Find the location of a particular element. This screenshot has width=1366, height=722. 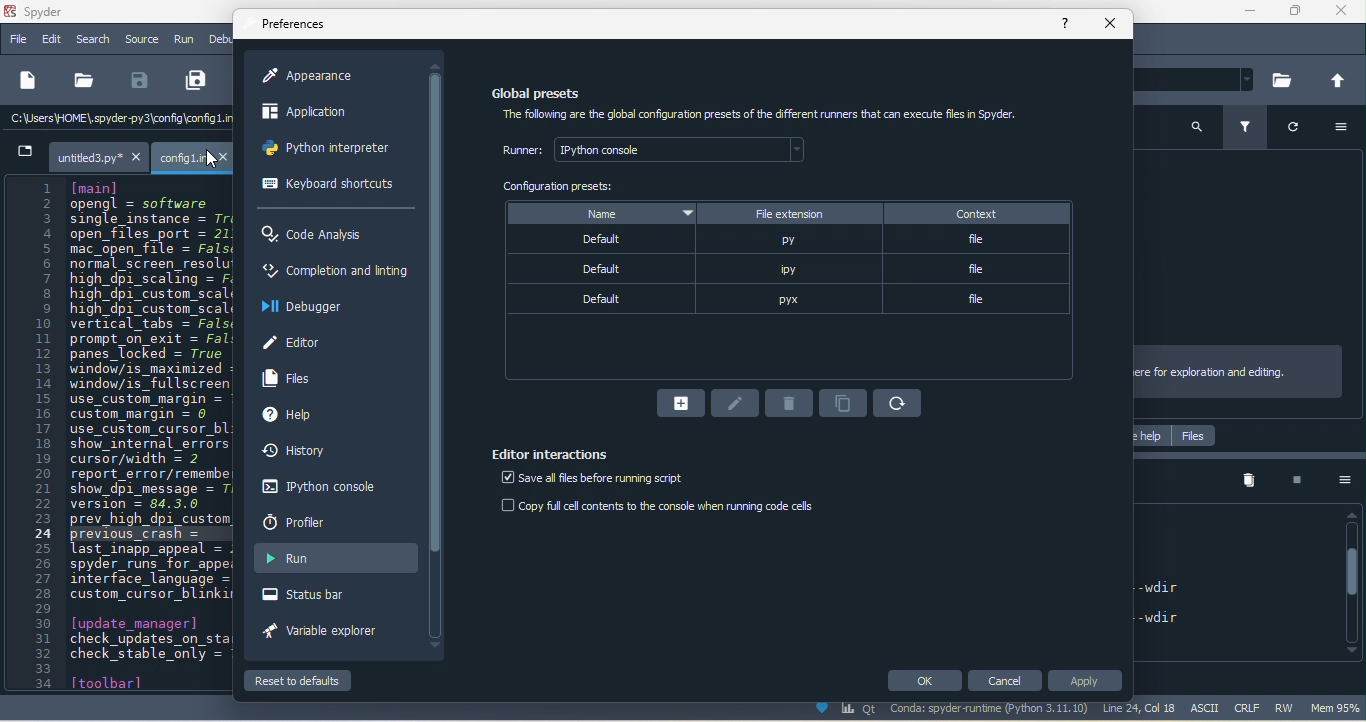

edit is located at coordinates (51, 41).